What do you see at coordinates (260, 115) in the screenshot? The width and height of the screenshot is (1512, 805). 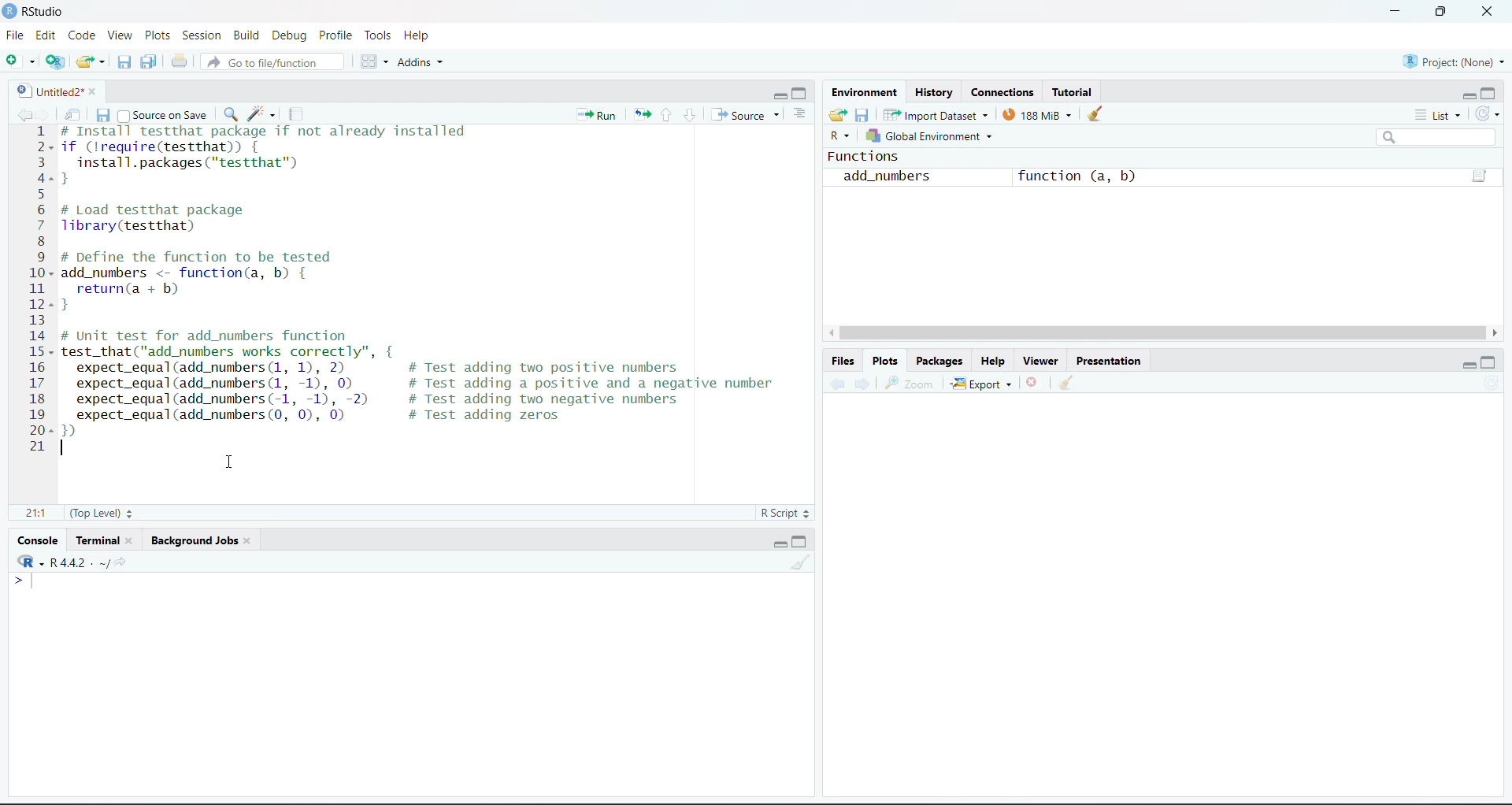 I see `code tools` at bounding box center [260, 115].